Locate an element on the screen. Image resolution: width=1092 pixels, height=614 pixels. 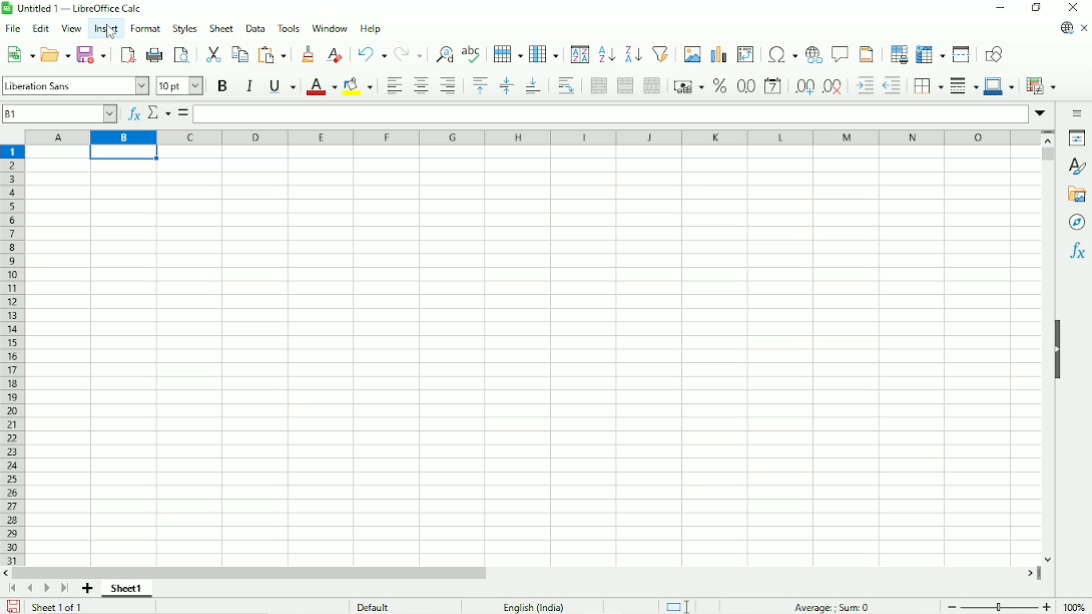
Find and replace is located at coordinates (442, 54).